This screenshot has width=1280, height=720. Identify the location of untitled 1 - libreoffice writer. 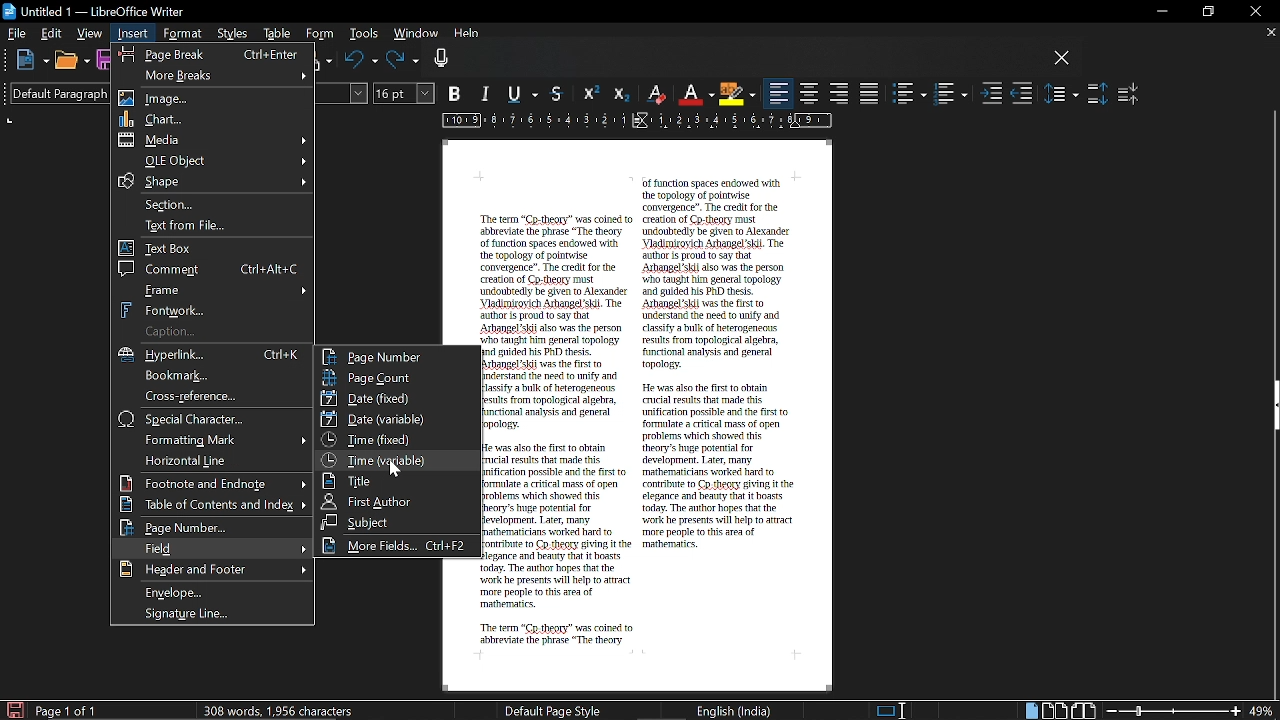
(97, 9).